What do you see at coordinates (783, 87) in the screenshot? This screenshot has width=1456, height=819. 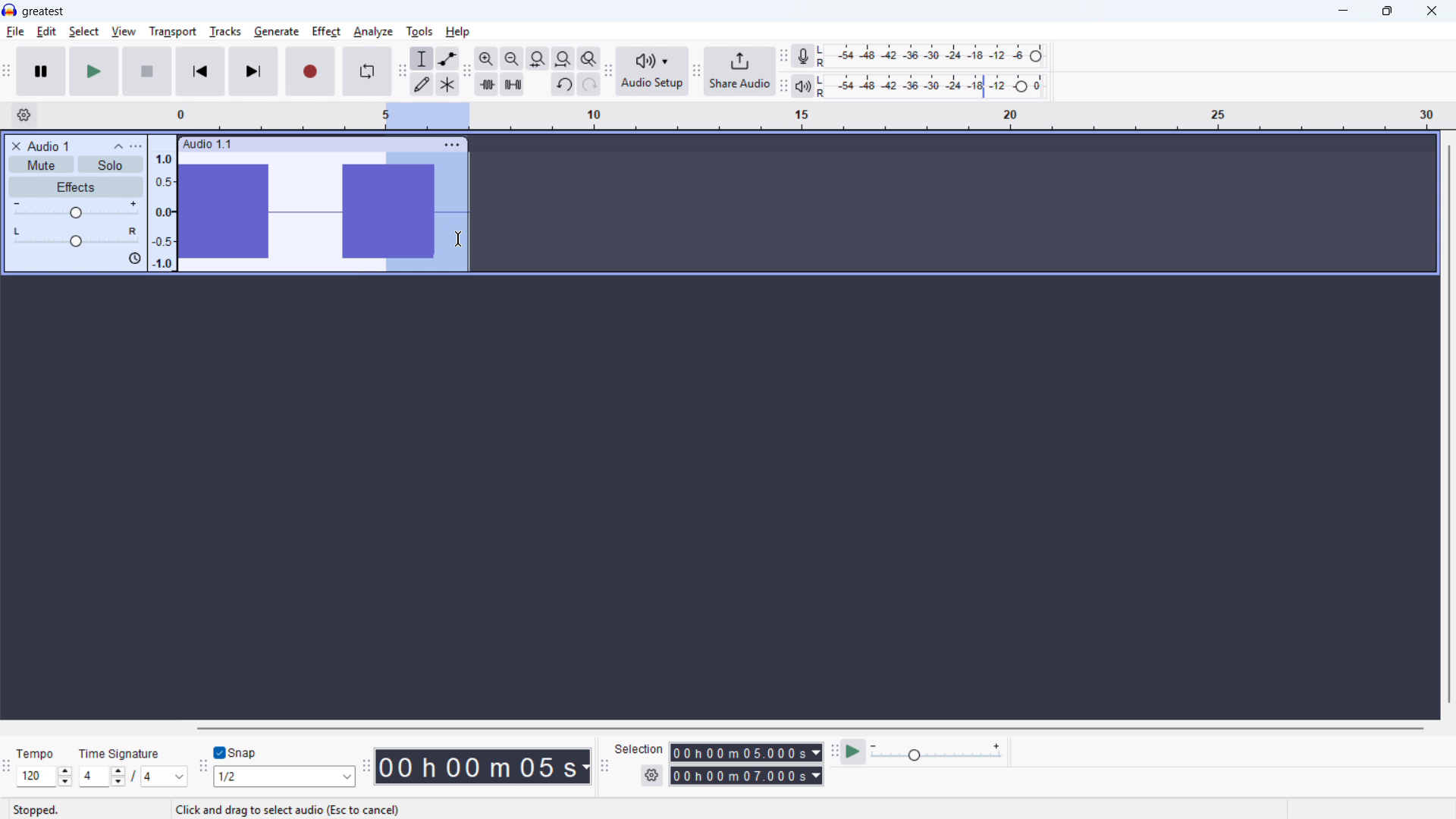 I see `Playback metre toolbar ` at bounding box center [783, 87].